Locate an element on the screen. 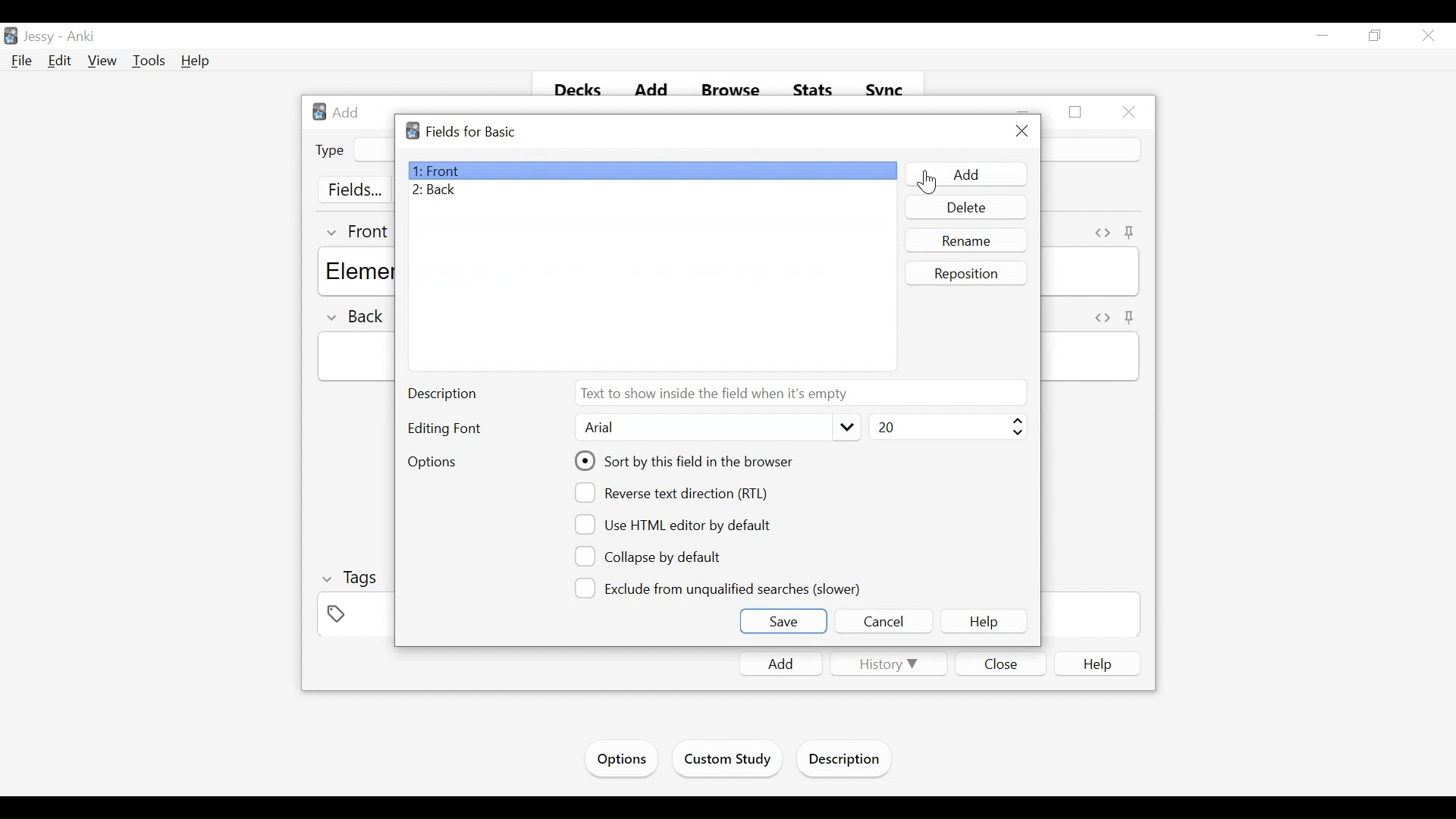 The height and width of the screenshot is (819, 1456). File is located at coordinates (22, 61).